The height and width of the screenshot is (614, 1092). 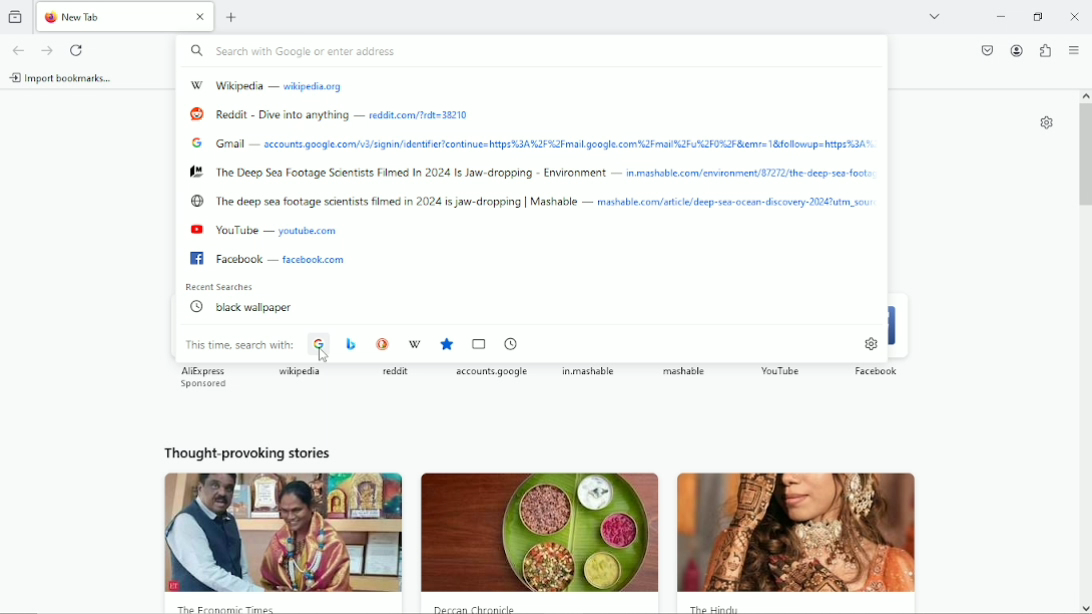 I want to click on reddit logo, so click(x=195, y=112).